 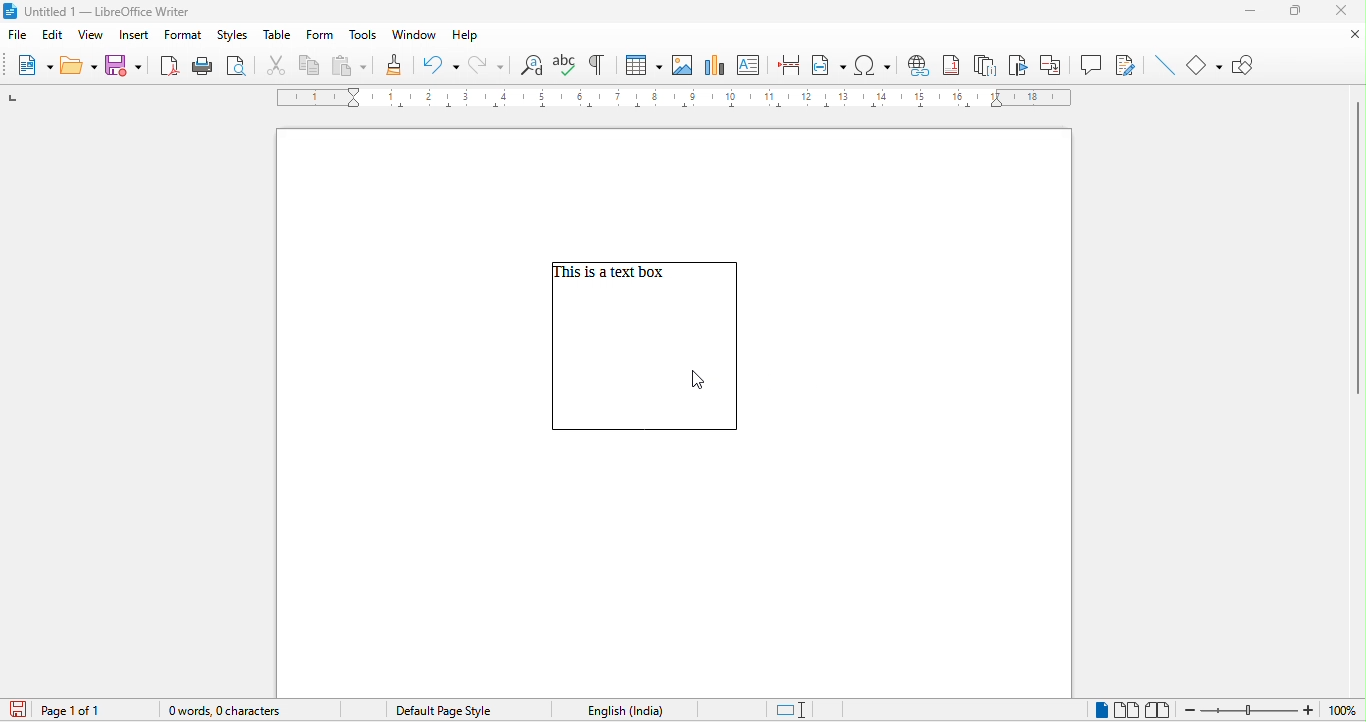 I want to click on minimize, so click(x=1250, y=11).